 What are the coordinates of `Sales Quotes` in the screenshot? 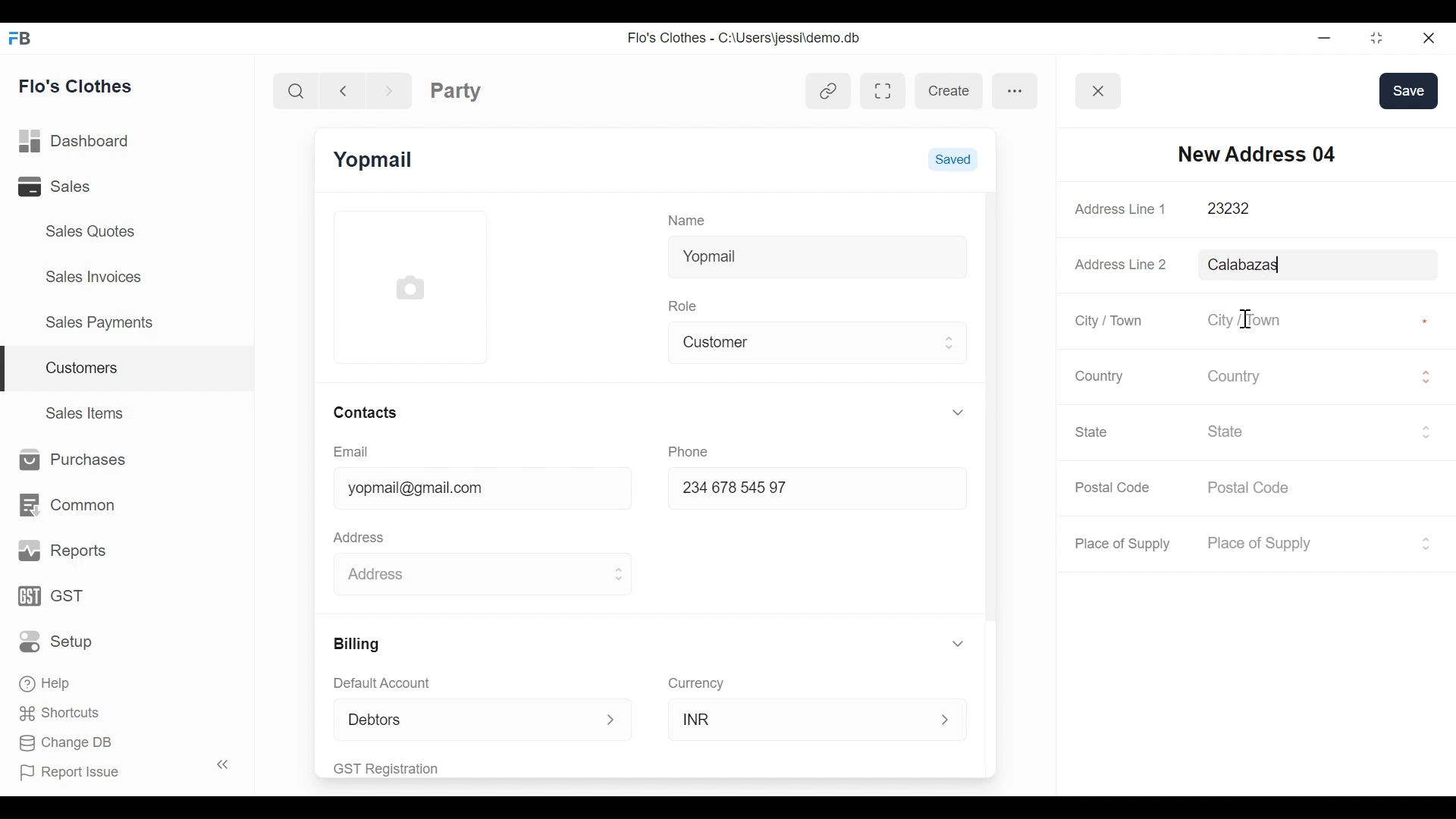 It's located at (92, 231).